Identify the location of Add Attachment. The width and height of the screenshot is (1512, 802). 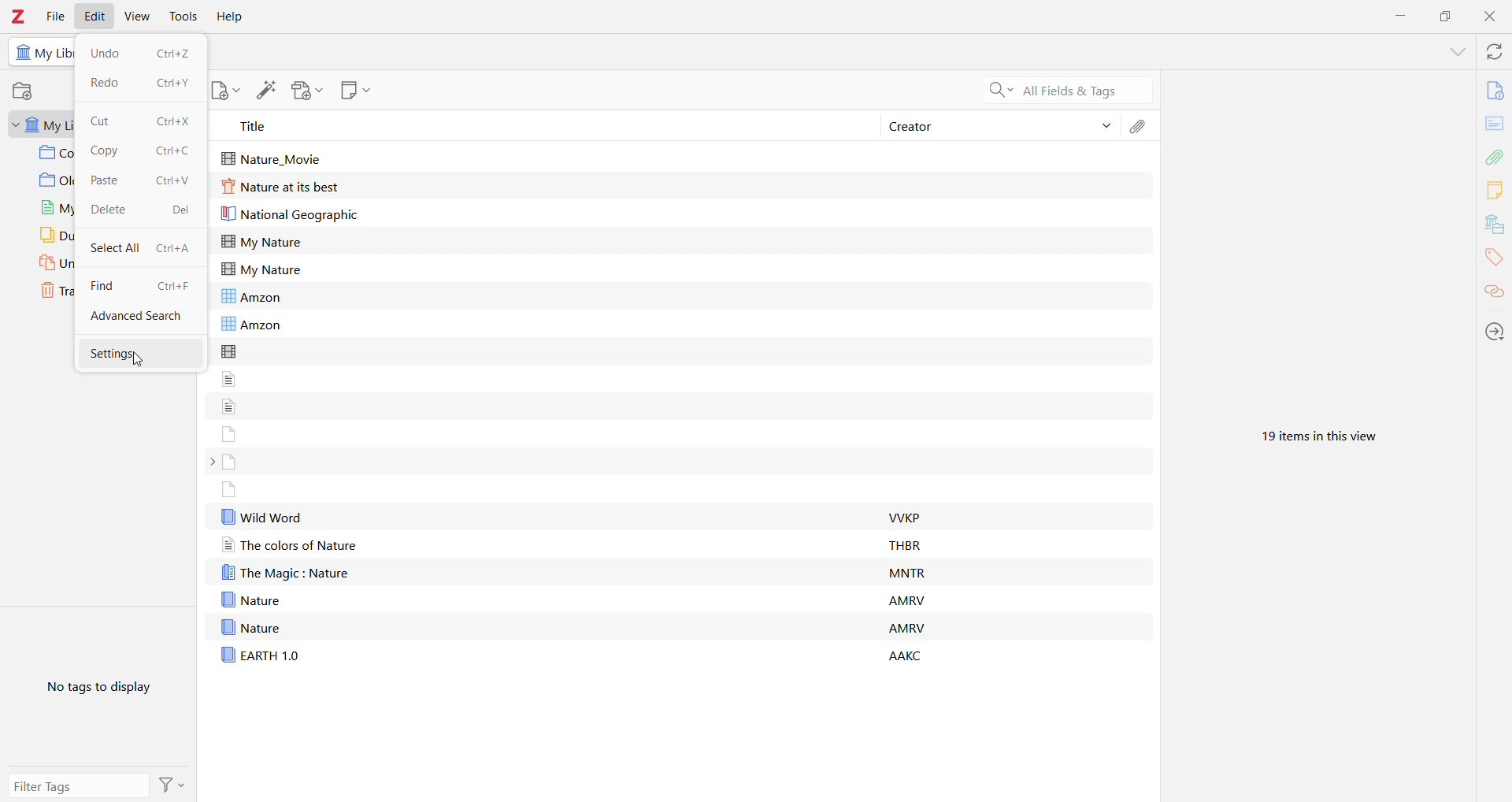
(306, 91).